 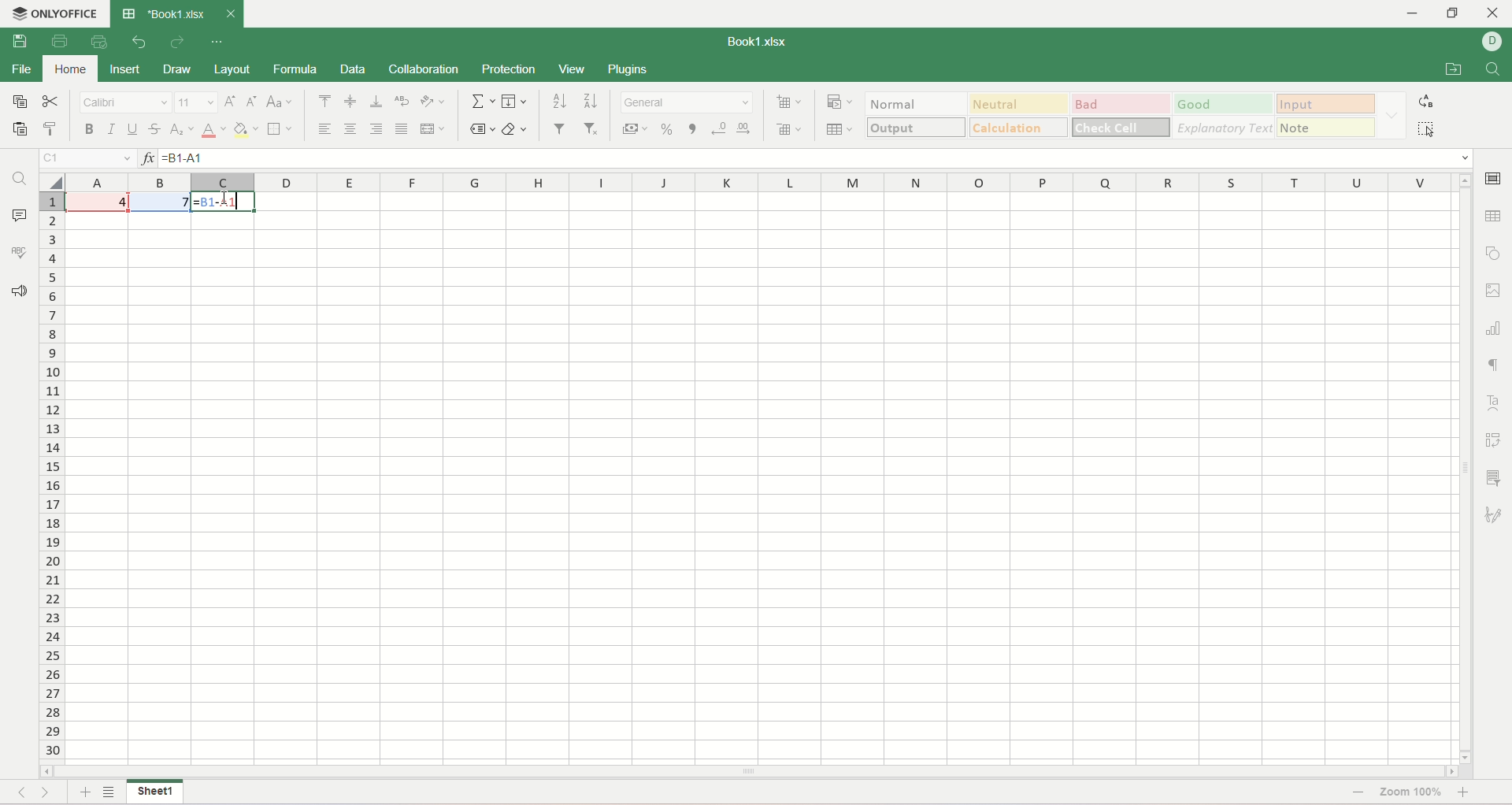 I want to click on paste, so click(x=54, y=129).